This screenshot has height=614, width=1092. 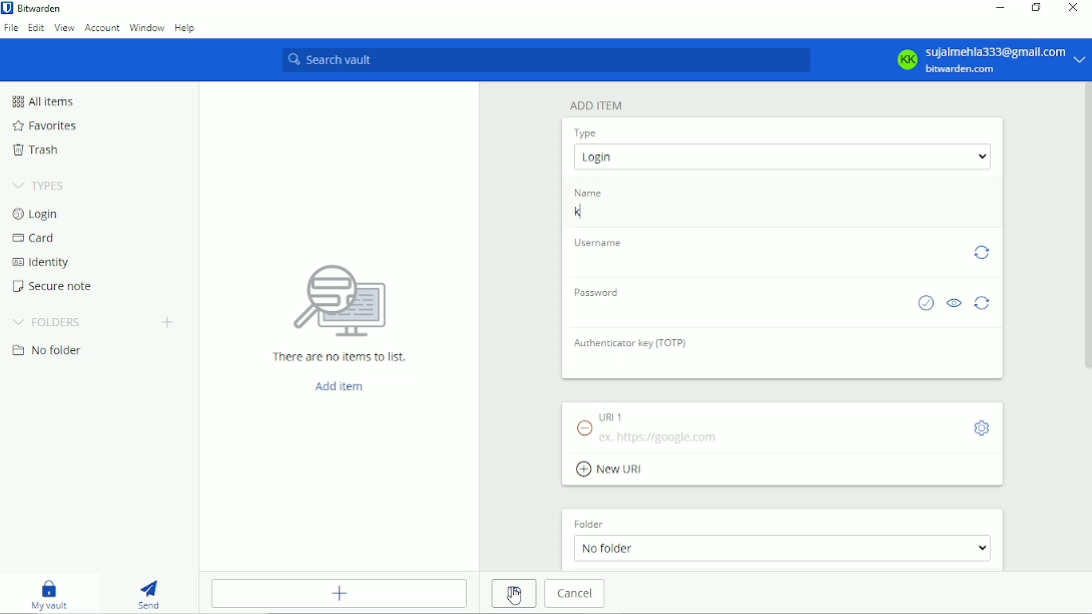 What do you see at coordinates (11, 29) in the screenshot?
I see `File` at bounding box center [11, 29].